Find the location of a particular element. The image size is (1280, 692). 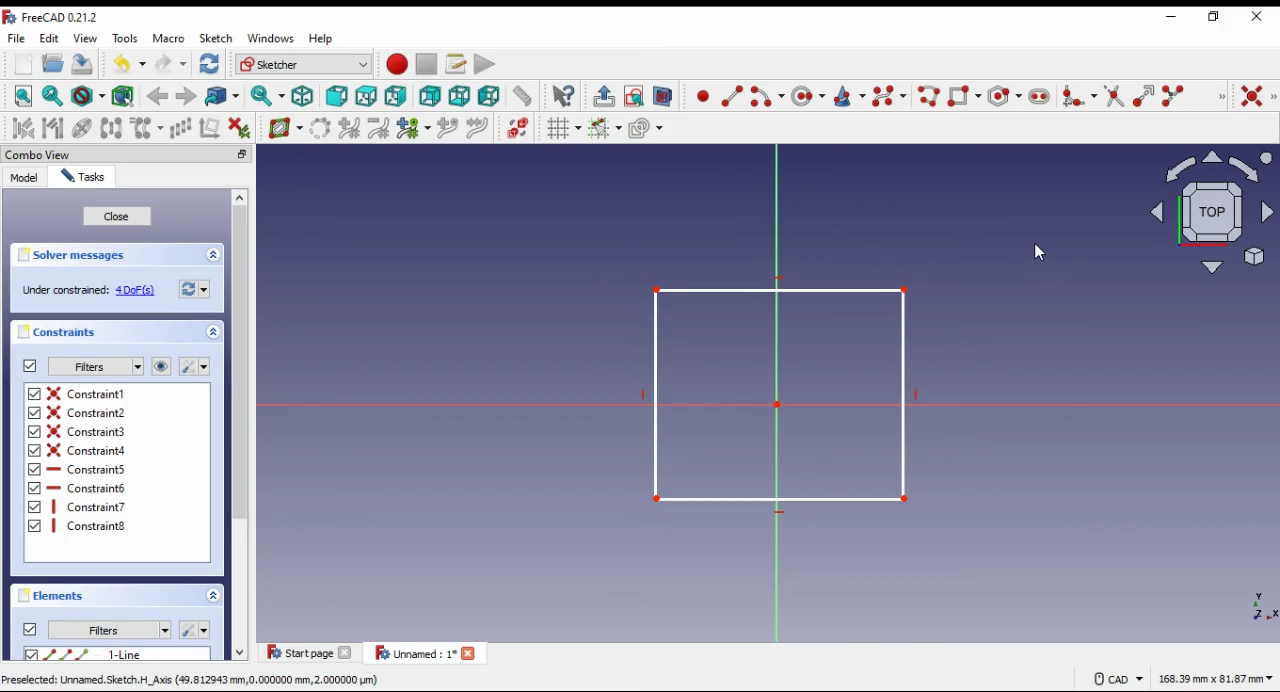

save is located at coordinates (84, 63).